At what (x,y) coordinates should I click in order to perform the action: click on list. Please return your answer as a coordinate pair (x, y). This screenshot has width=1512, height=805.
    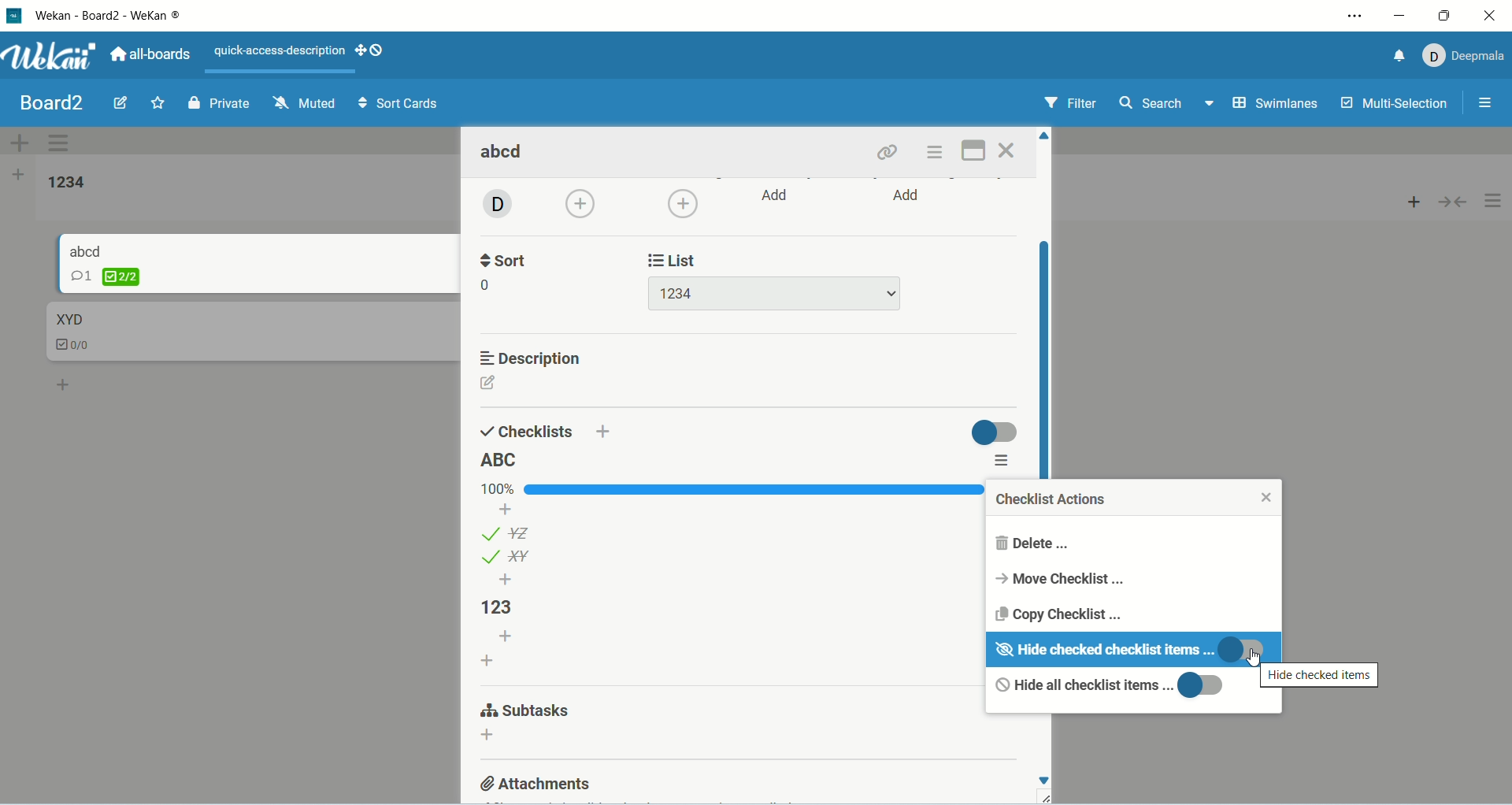
    Looking at the image, I should click on (506, 557).